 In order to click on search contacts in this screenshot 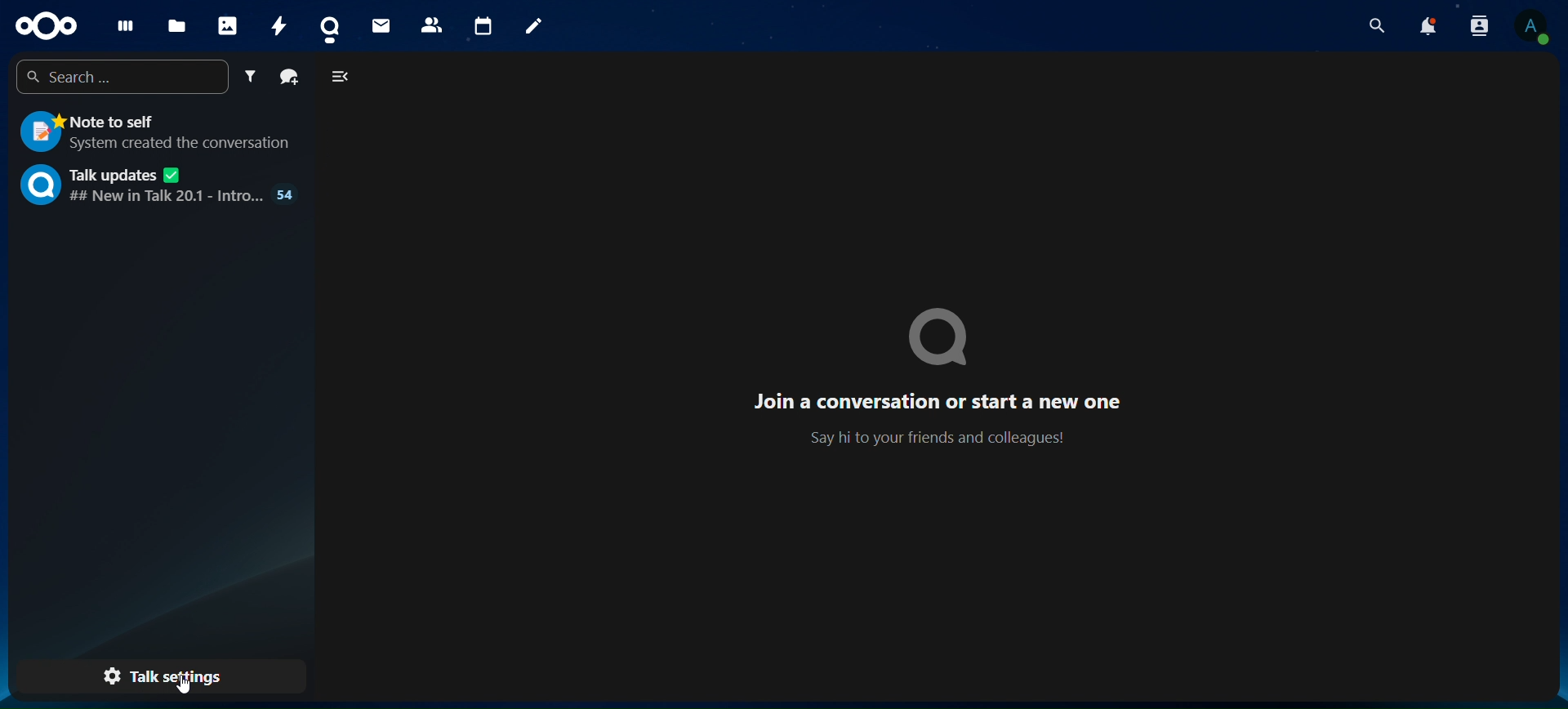, I will do `click(1479, 25)`.